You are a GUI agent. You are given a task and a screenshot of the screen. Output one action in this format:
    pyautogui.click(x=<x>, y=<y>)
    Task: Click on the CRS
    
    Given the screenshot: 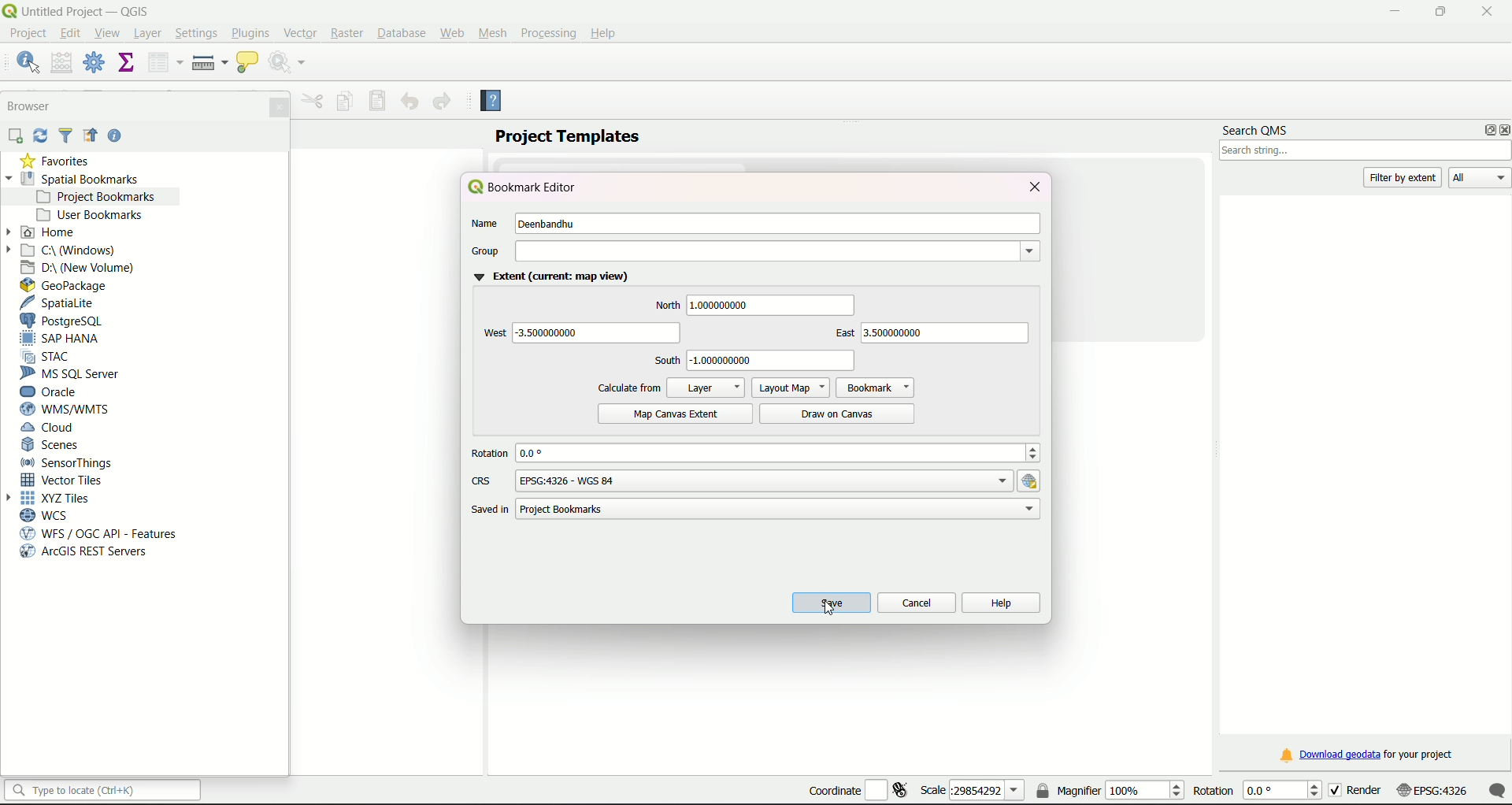 What is the action you would take?
    pyautogui.click(x=483, y=480)
    